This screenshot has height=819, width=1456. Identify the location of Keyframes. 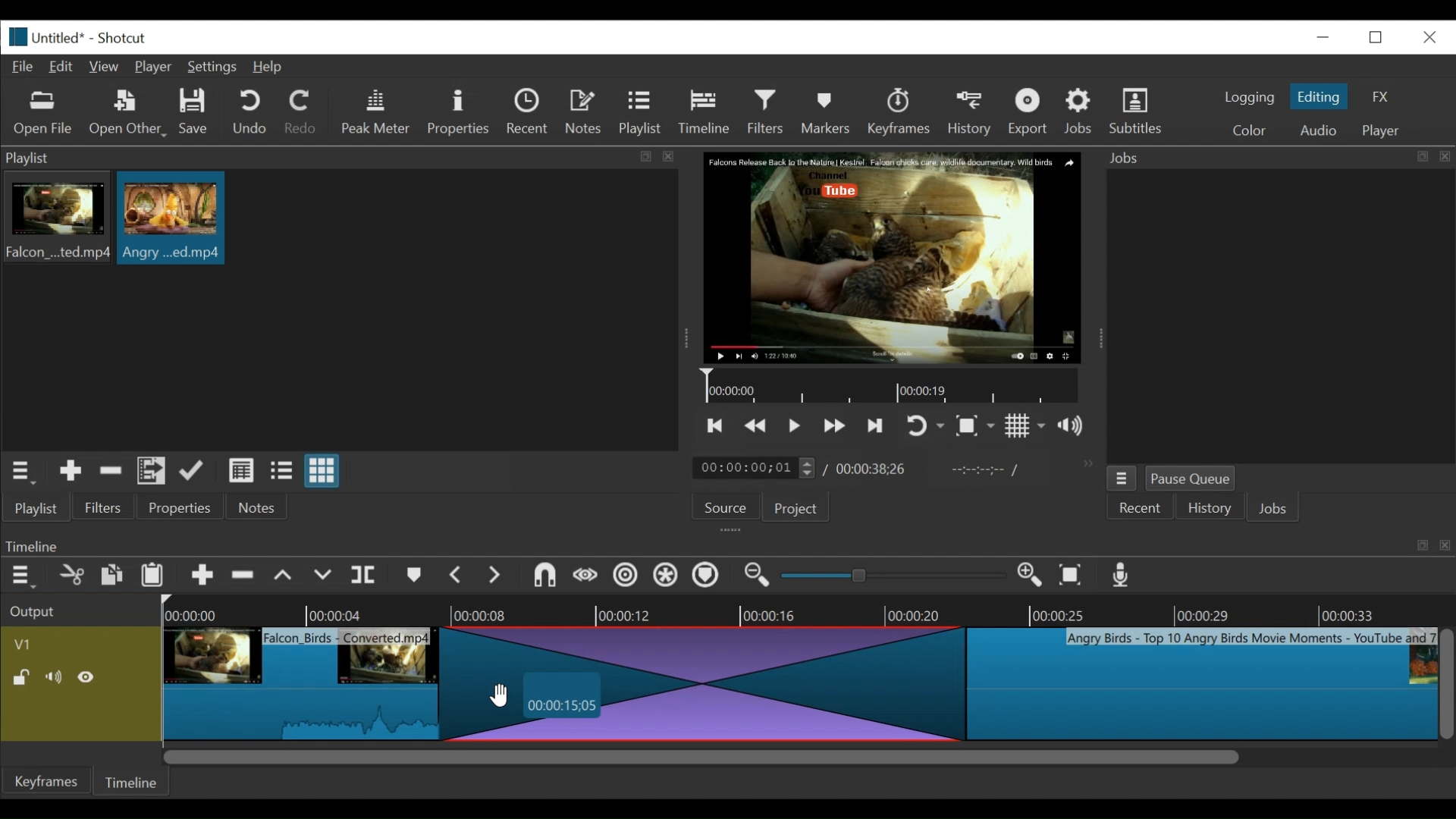
(48, 781).